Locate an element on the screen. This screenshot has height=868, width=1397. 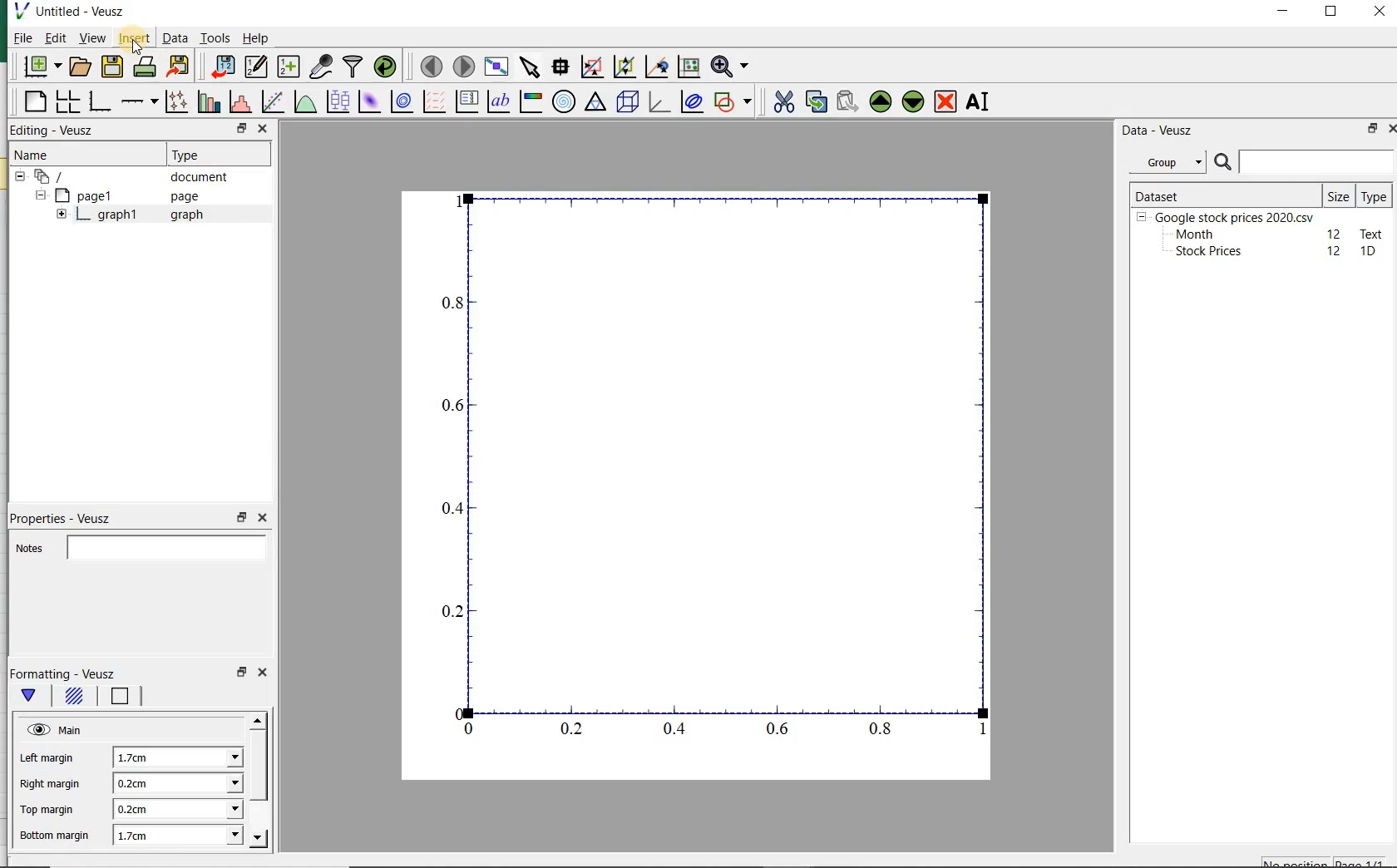
Tools is located at coordinates (215, 38).